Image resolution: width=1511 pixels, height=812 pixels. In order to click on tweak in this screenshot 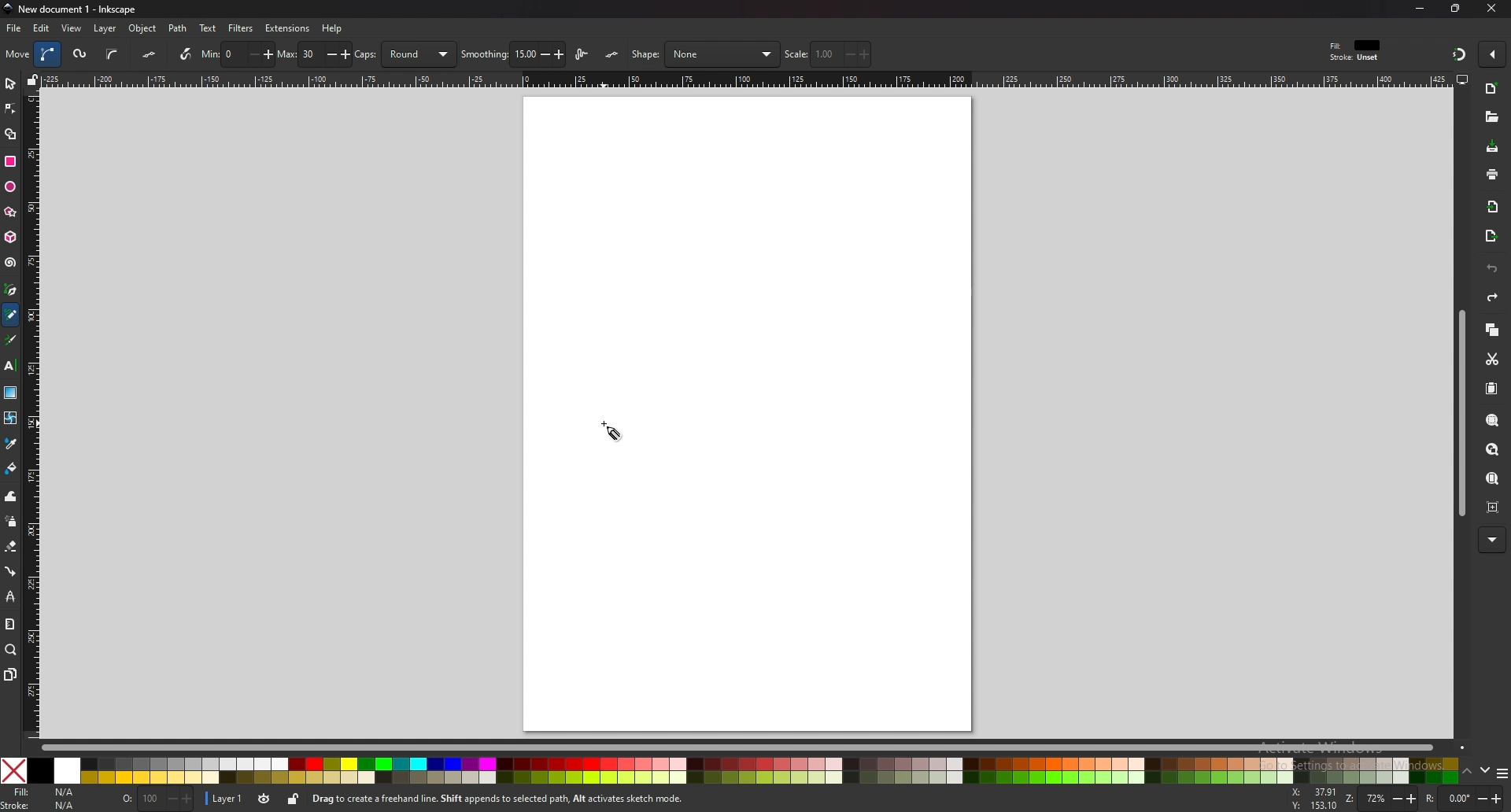, I will do `click(10, 496)`.